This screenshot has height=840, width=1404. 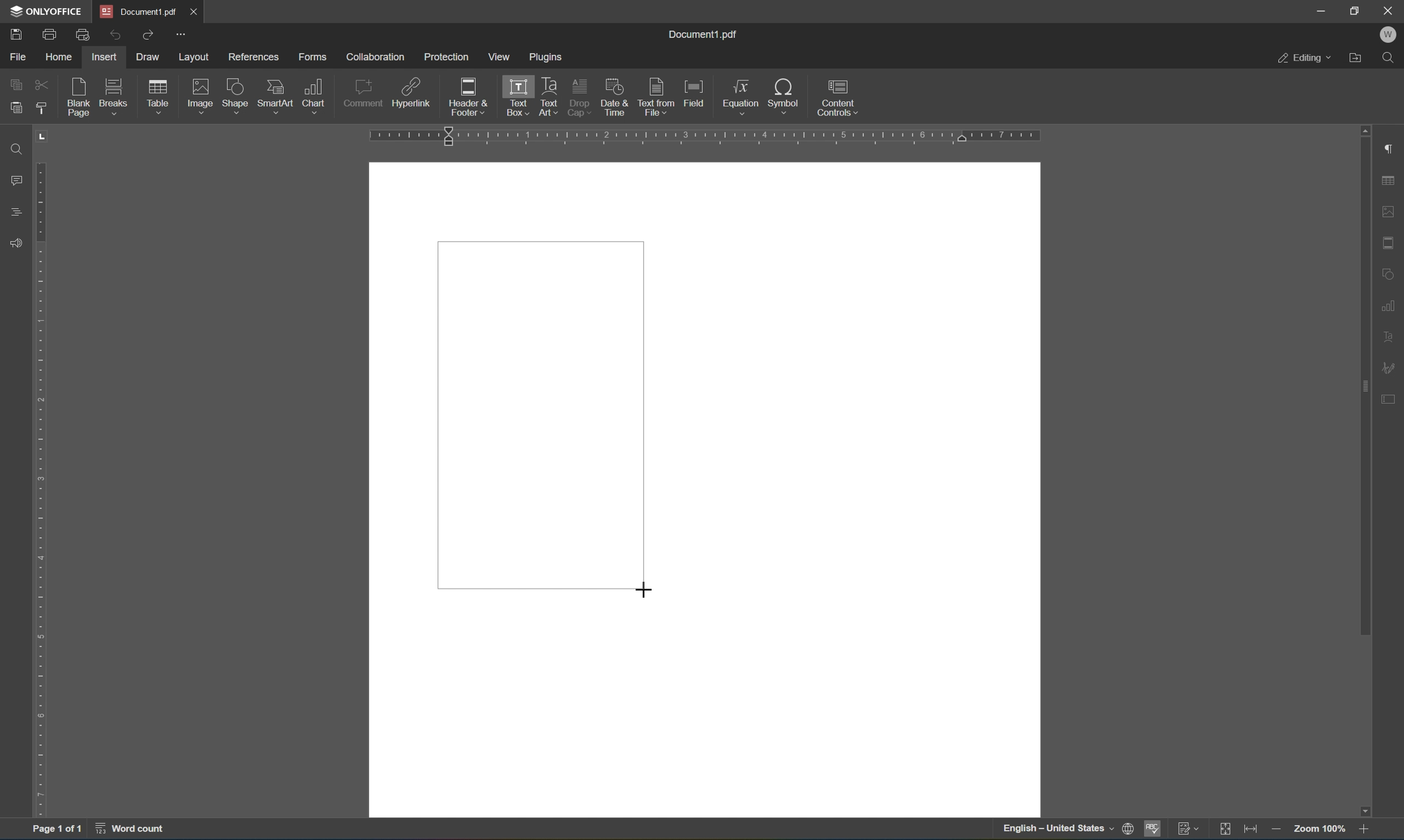 What do you see at coordinates (1321, 11) in the screenshot?
I see `Minimize` at bounding box center [1321, 11].